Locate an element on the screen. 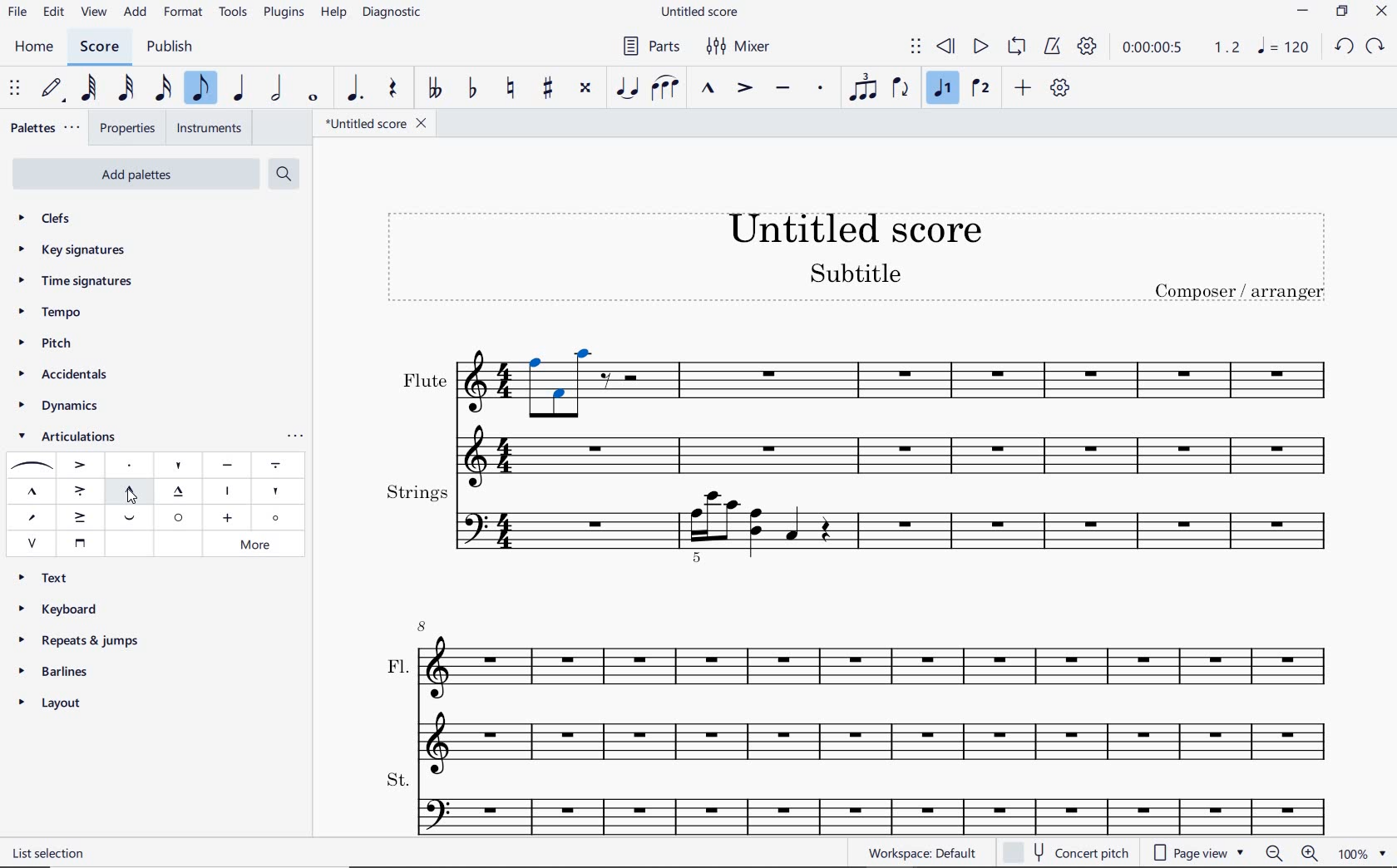 This screenshot has height=868, width=1397. STACCATISSIMO STROKE ABOVE is located at coordinates (226, 491).